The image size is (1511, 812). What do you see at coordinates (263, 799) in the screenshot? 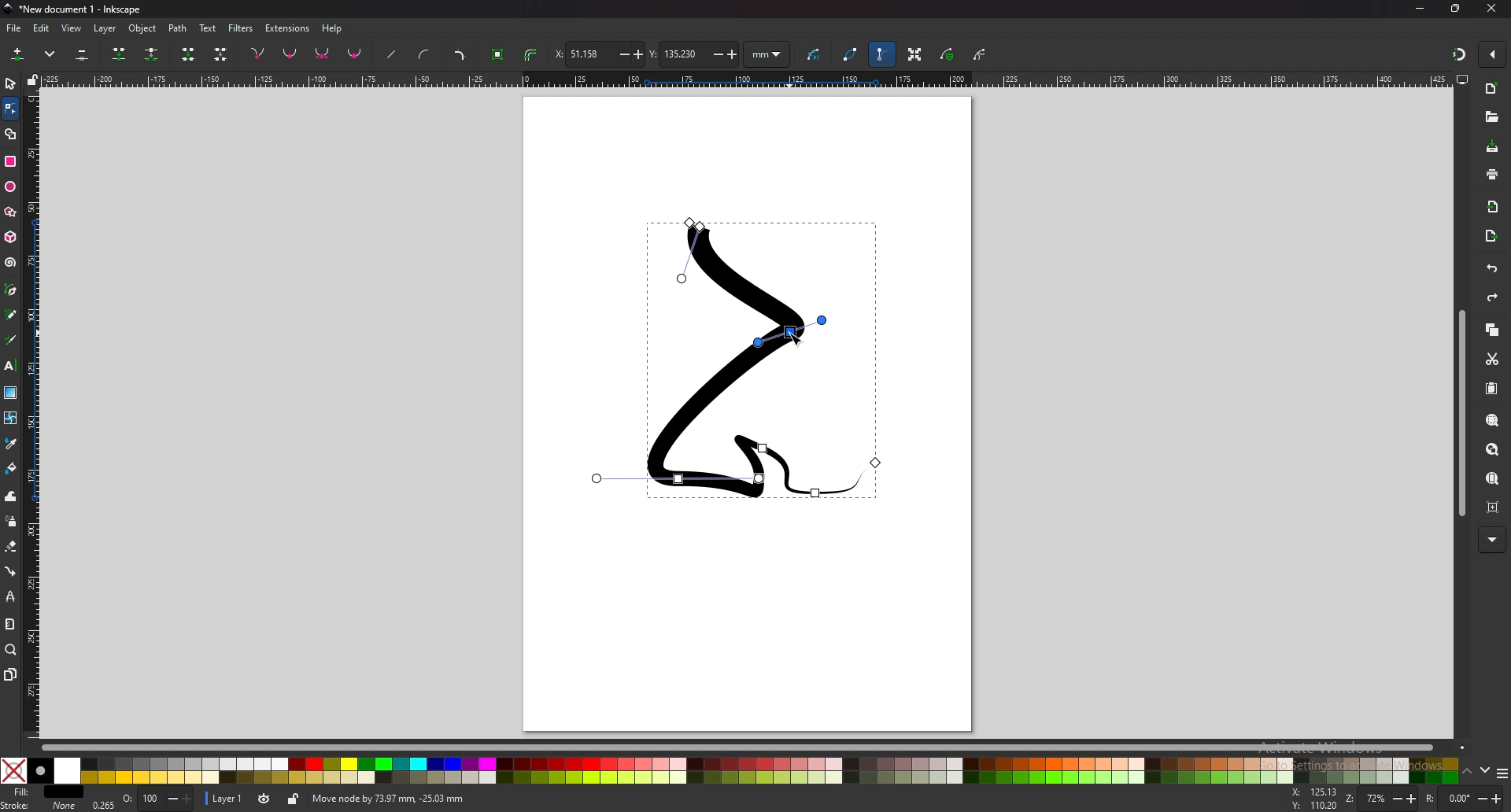
I see `toggle visibility` at bounding box center [263, 799].